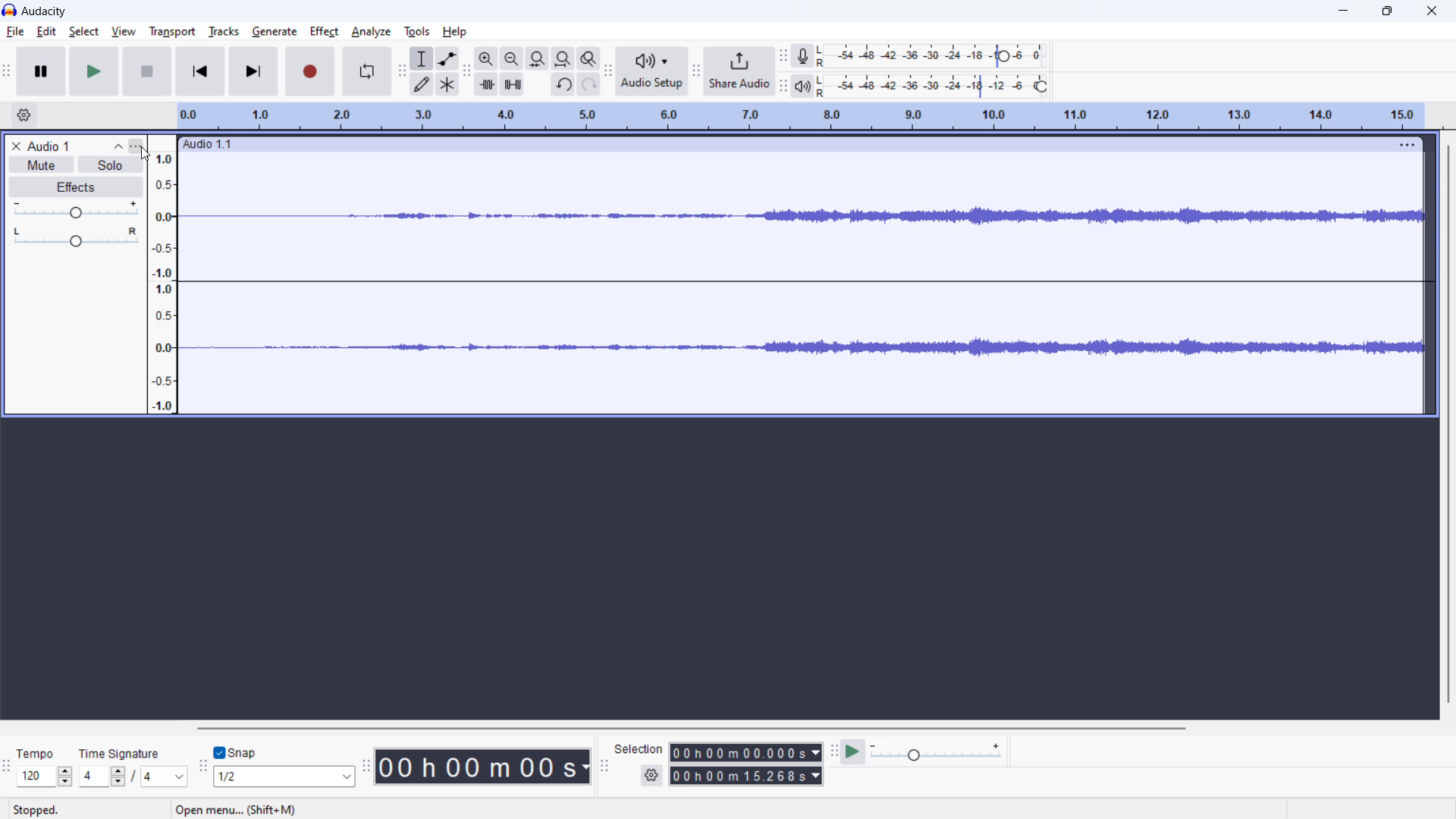 The width and height of the screenshot is (1456, 819). I want to click on toggle zoom, so click(589, 58).